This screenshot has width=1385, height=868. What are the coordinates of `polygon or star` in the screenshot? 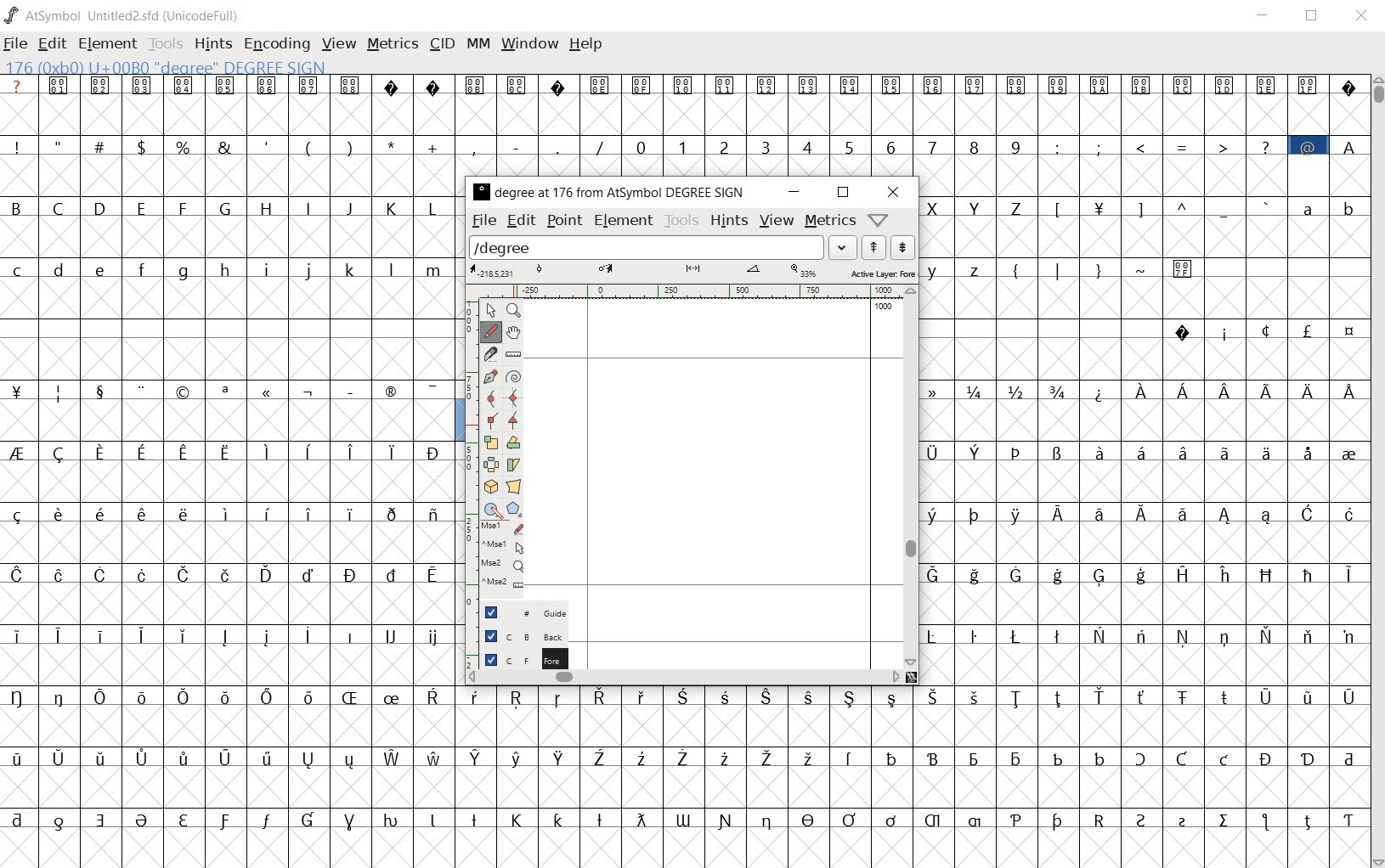 It's located at (515, 508).